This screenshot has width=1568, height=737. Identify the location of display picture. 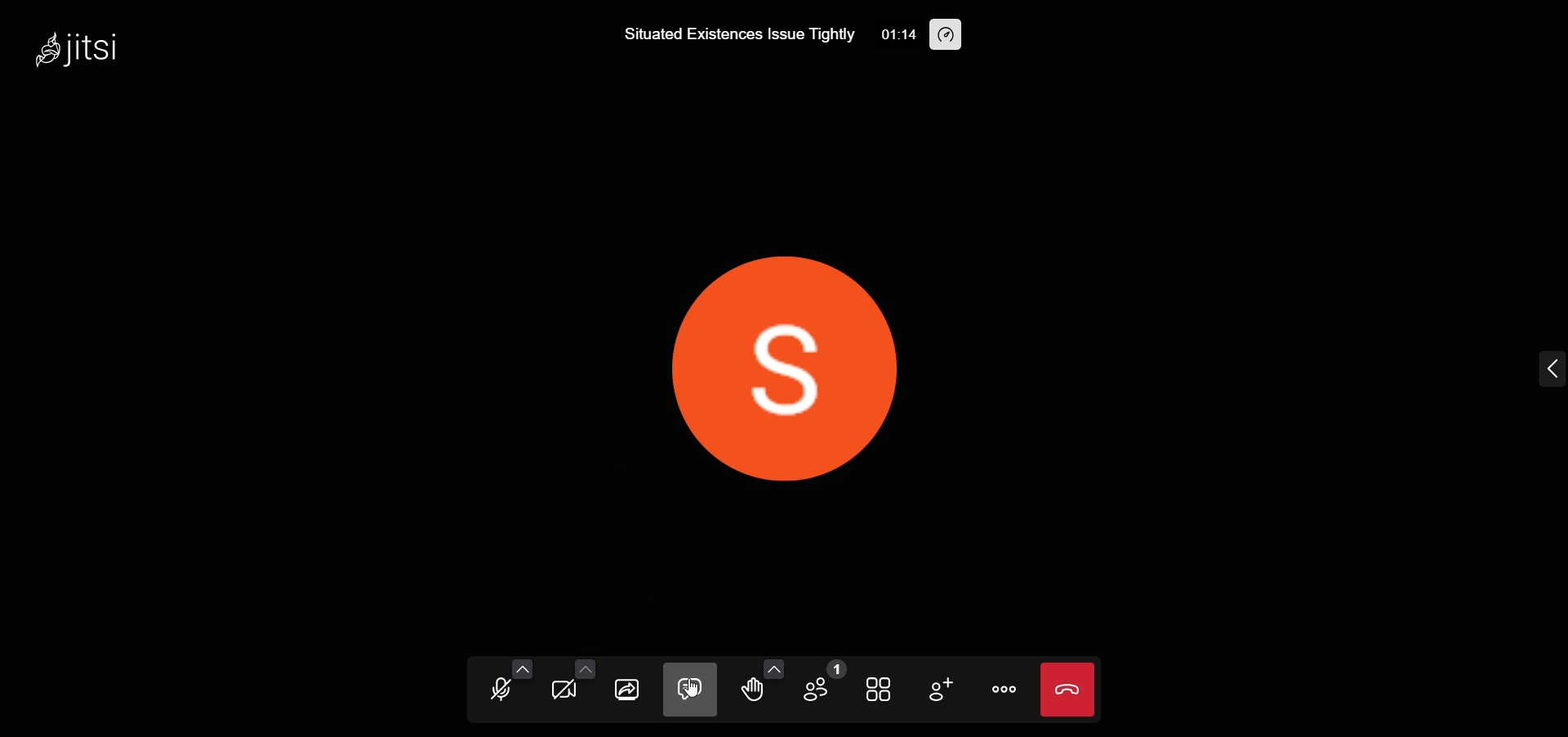
(787, 351).